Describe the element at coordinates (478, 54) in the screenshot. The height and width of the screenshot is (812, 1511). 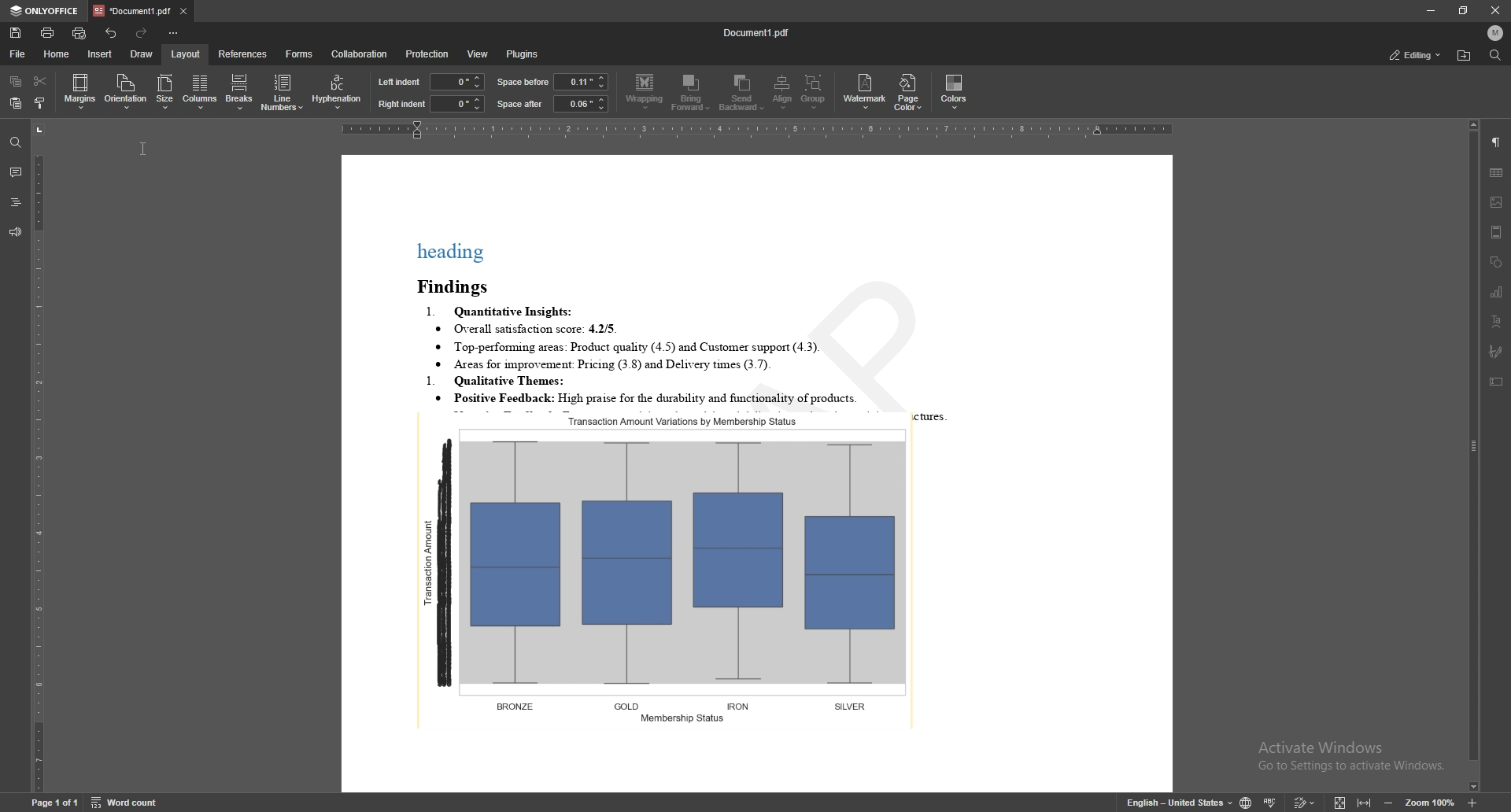
I see `view` at that location.